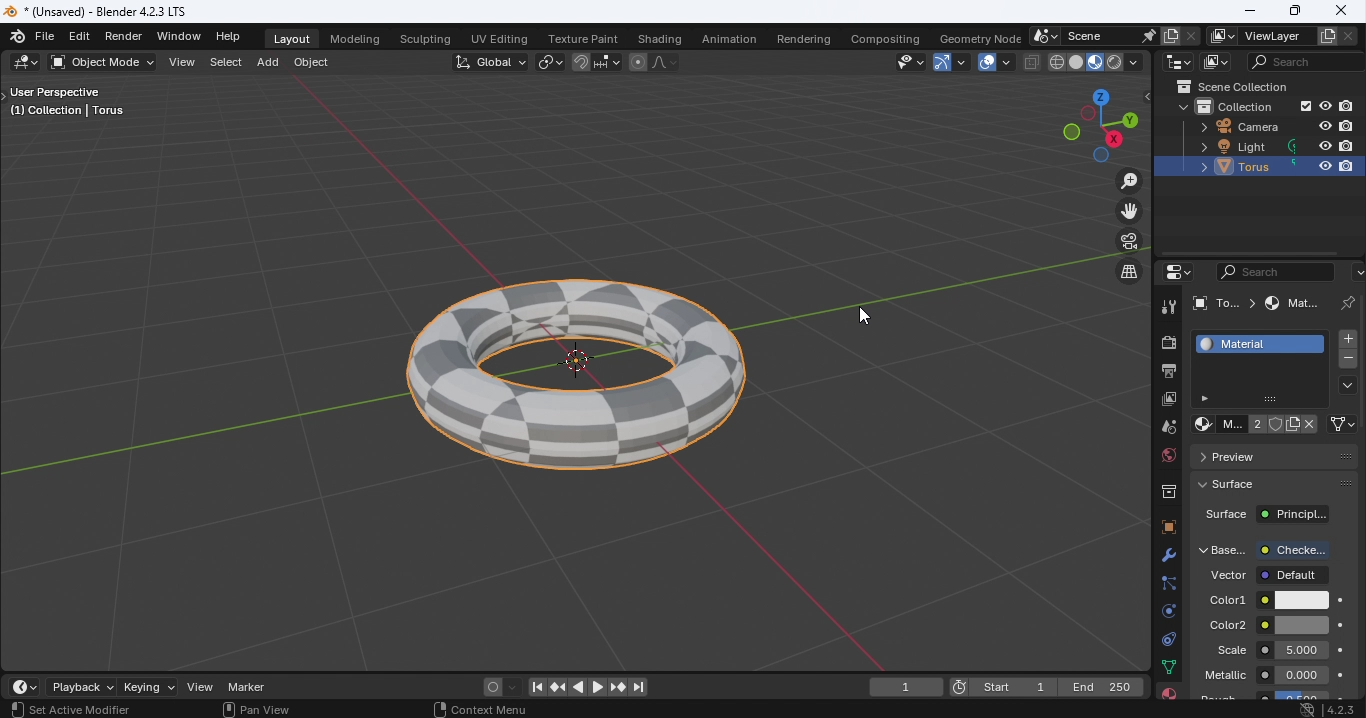  What do you see at coordinates (1164, 666) in the screenshot?
I see `Data` at bounding box center [1164, 666].